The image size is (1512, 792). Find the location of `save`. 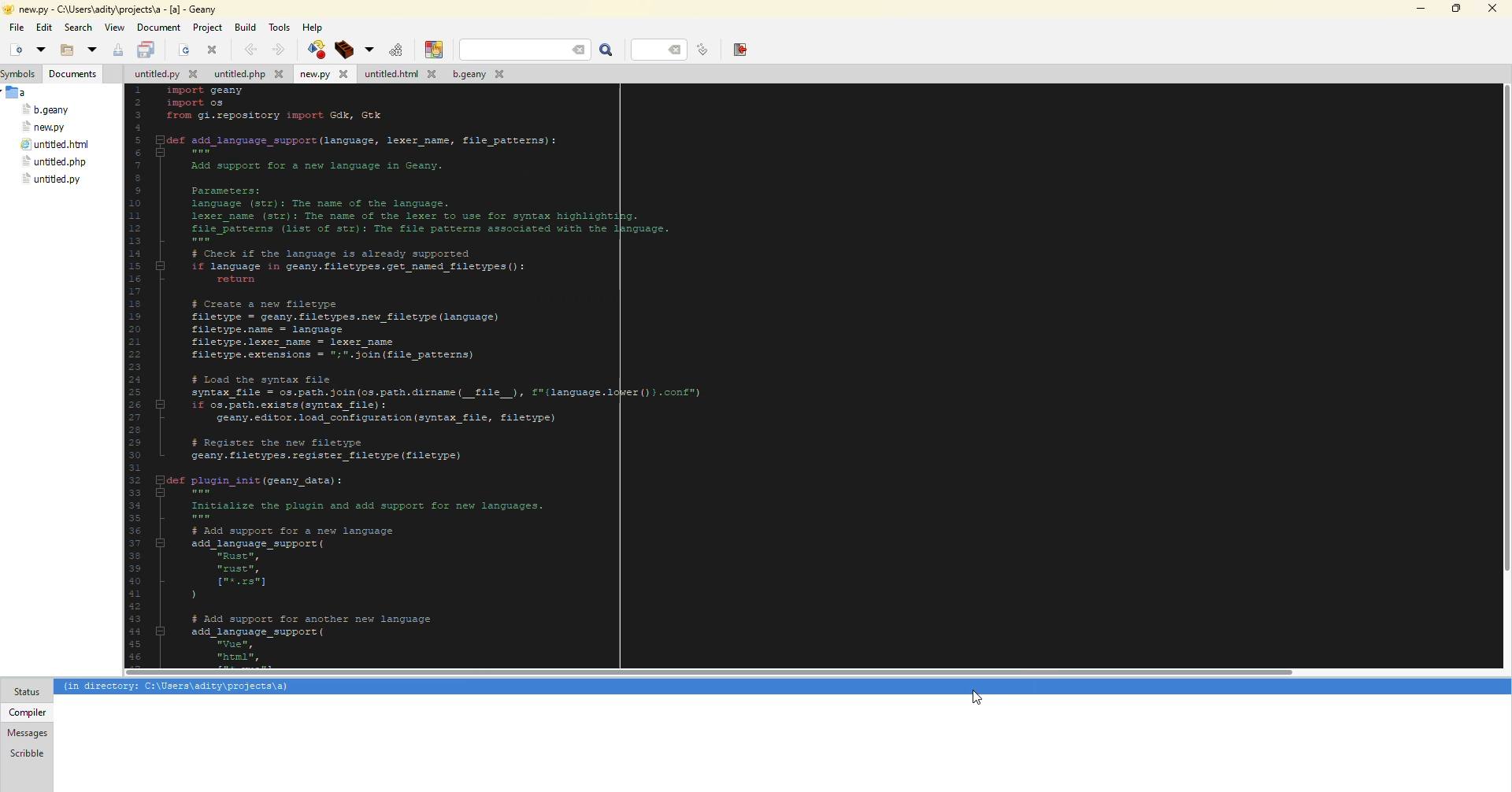

save is located at coordinates (147, 50).